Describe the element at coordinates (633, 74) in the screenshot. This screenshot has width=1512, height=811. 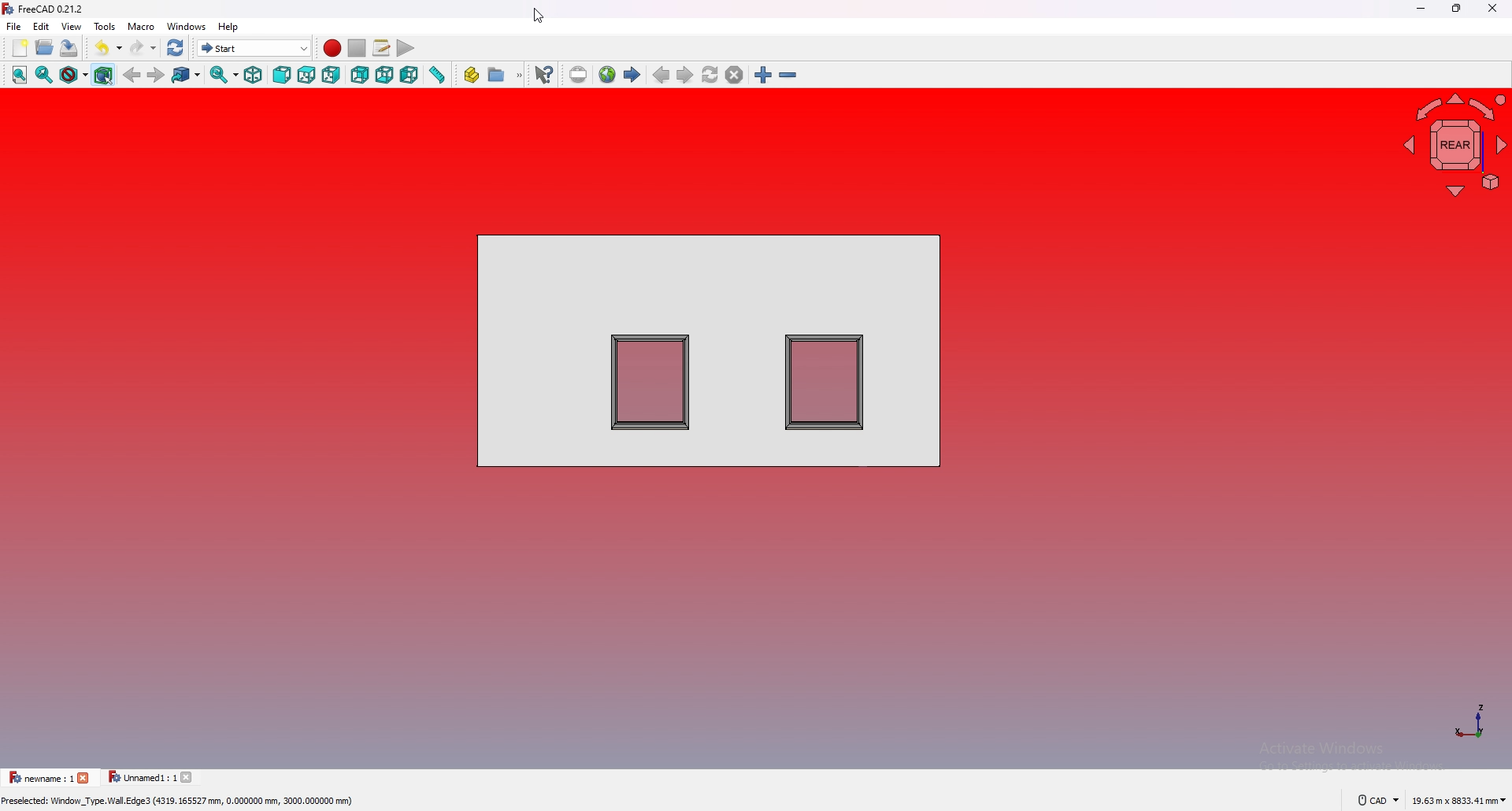
I see `start page` at that location.